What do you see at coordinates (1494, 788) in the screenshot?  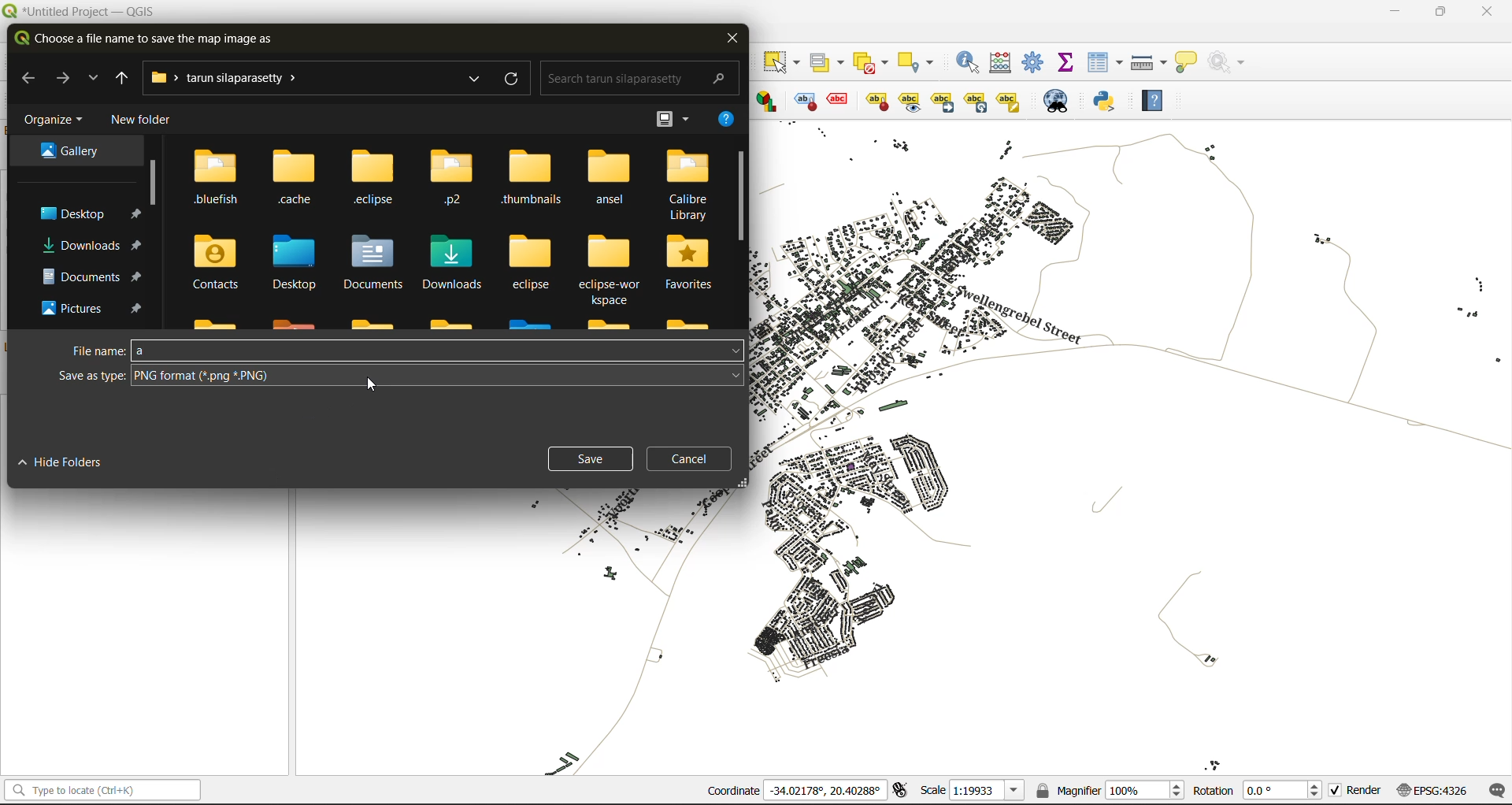 I see `log messages` at bounding box center [1494, 788].